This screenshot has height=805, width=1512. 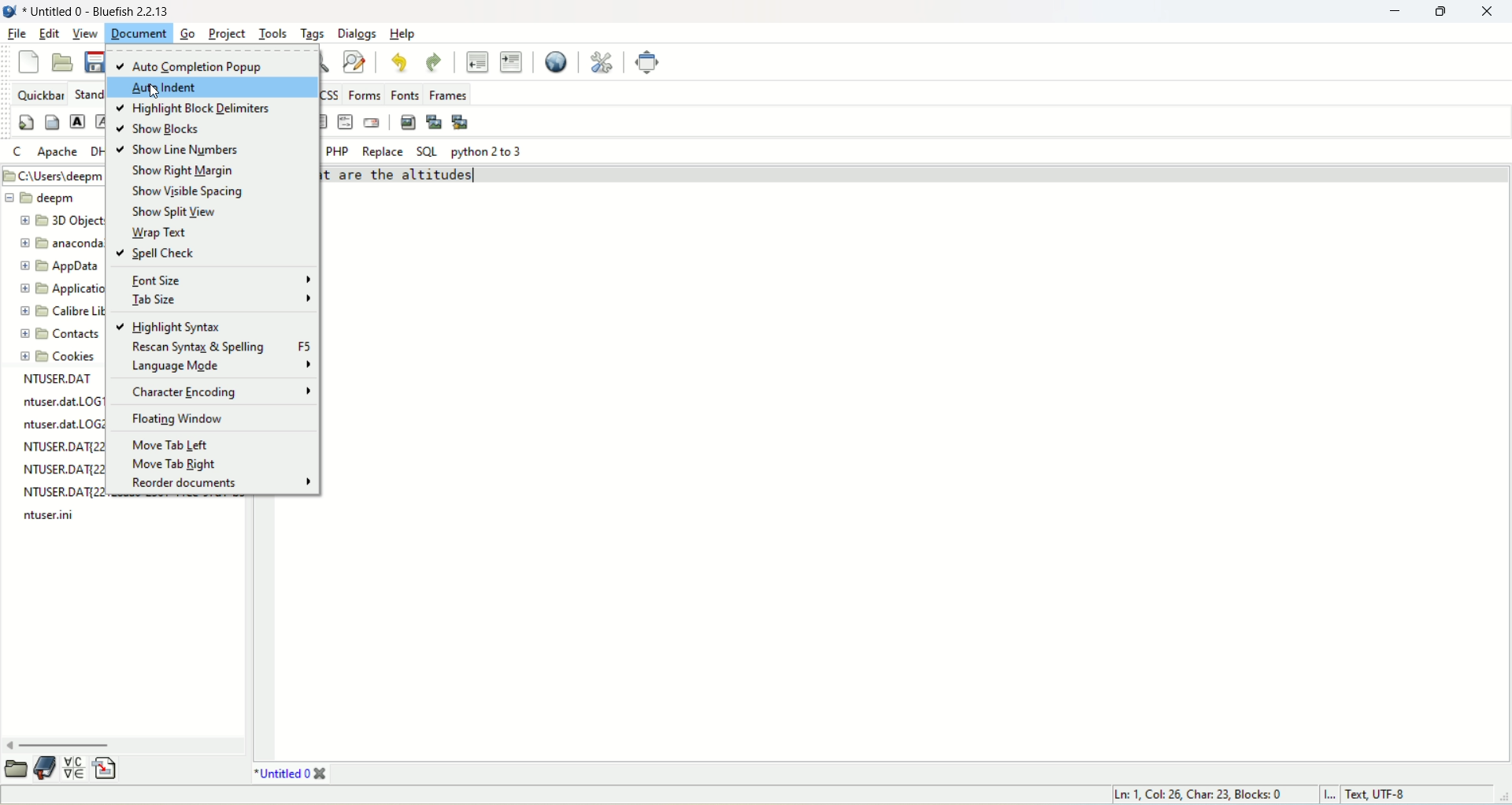 What do you see at coordinates (57, 334) in the screenshot?
I see `contacts` at bounding box center [57, 334].